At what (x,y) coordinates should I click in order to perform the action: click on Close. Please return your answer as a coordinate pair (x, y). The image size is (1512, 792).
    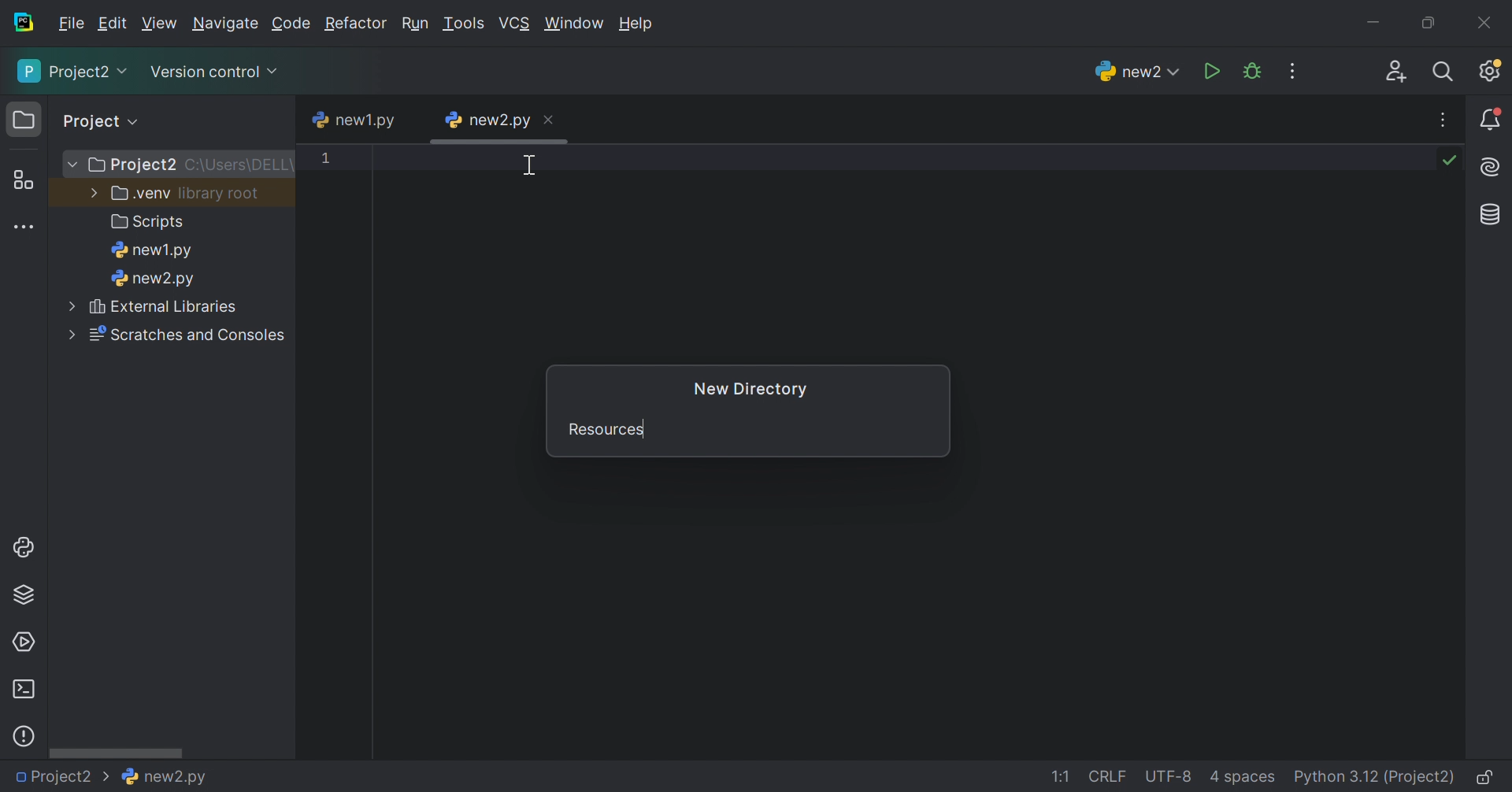
    Looking at the image, I should click on (1488, 19).